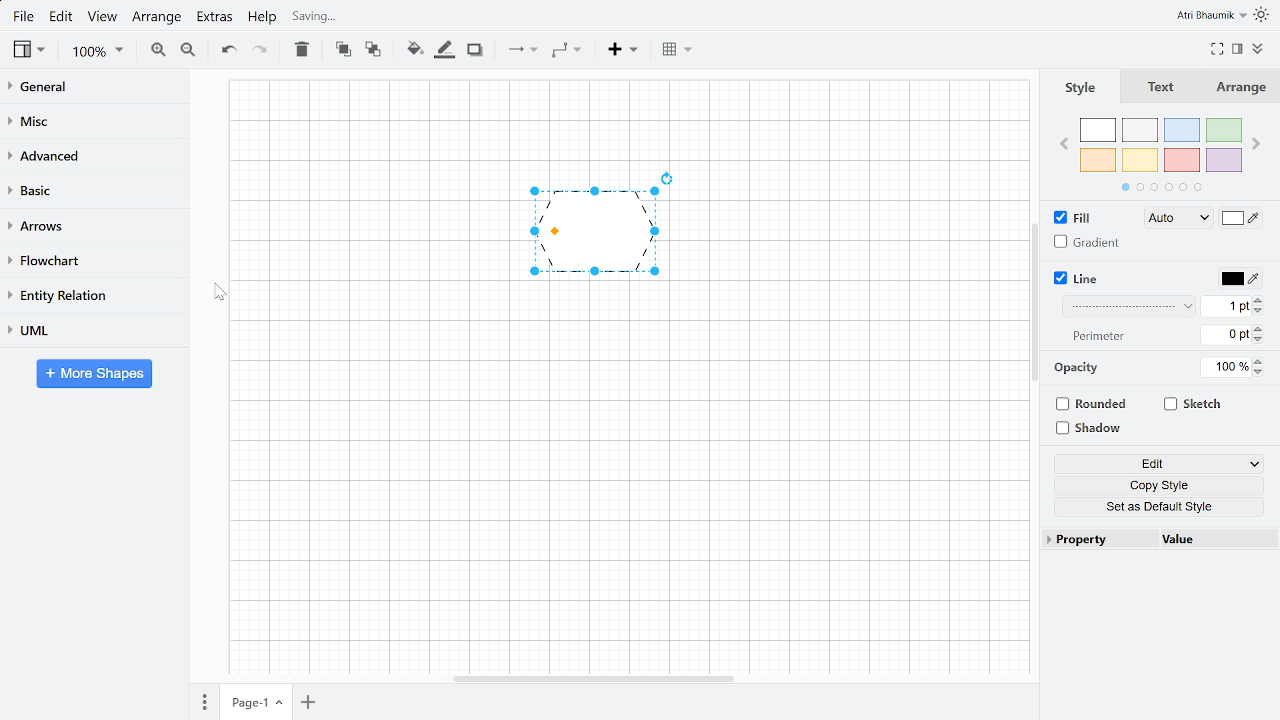 This screenshot has width=1280, height=720. Describe the element at coordinates (89, 295) in the screenshot. I see ` Entity relation` at that location.